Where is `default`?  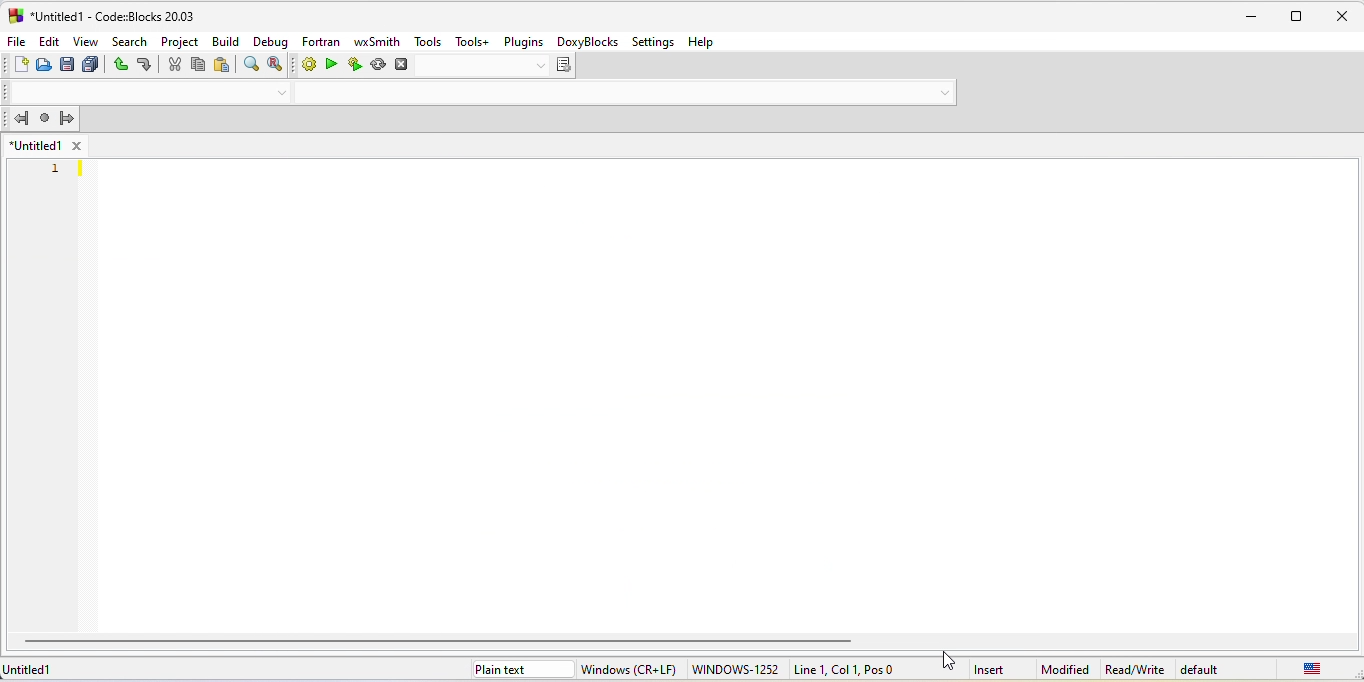 default is located at coordinates (1202, 669).